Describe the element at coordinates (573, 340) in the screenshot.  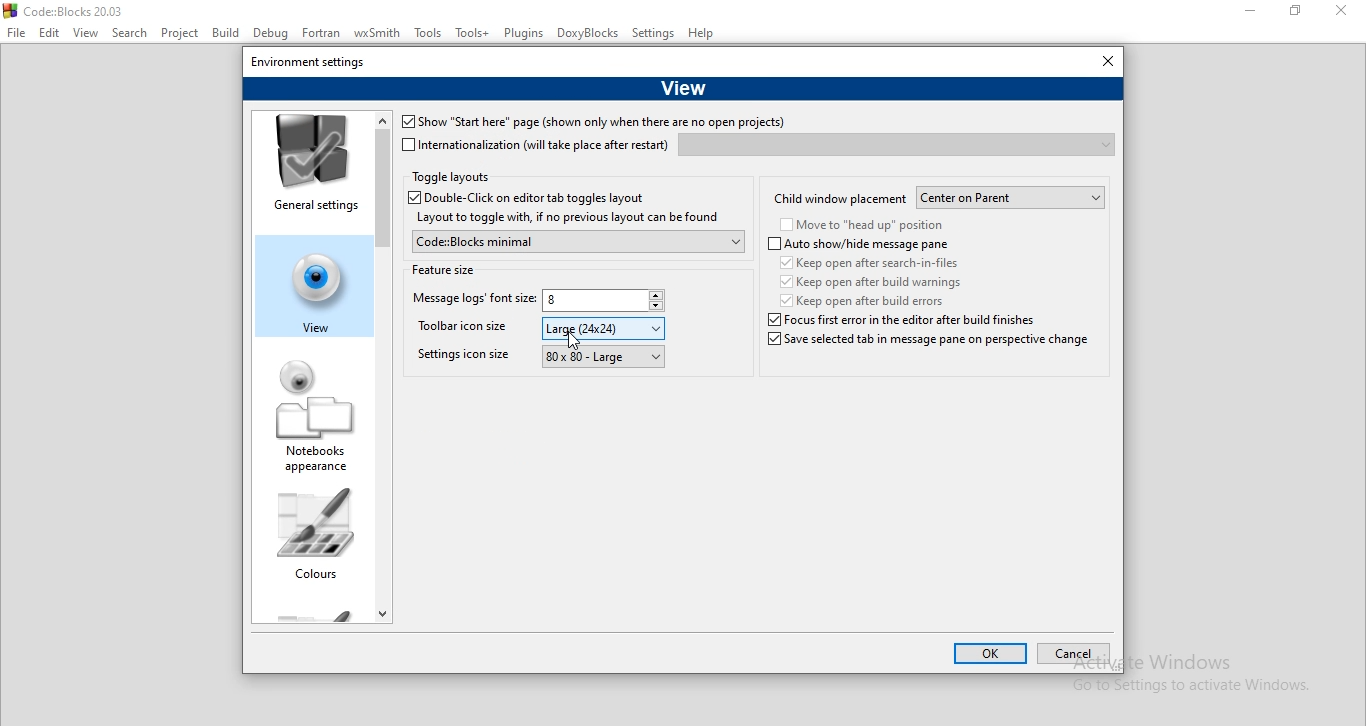
I see `cursor on Lage(24x24)` at that location.